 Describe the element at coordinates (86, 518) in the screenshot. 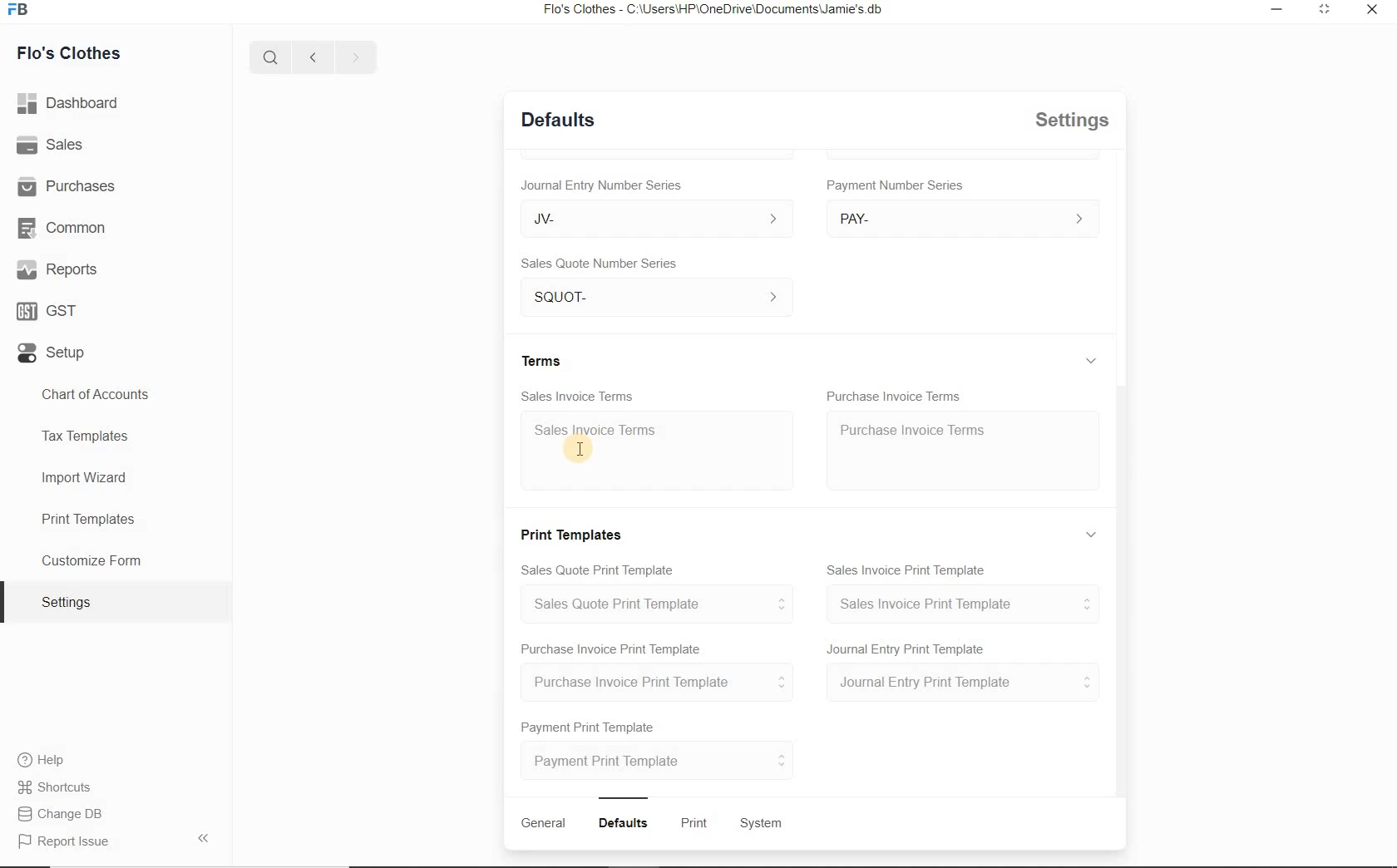

I see `Print Templates` at that location.